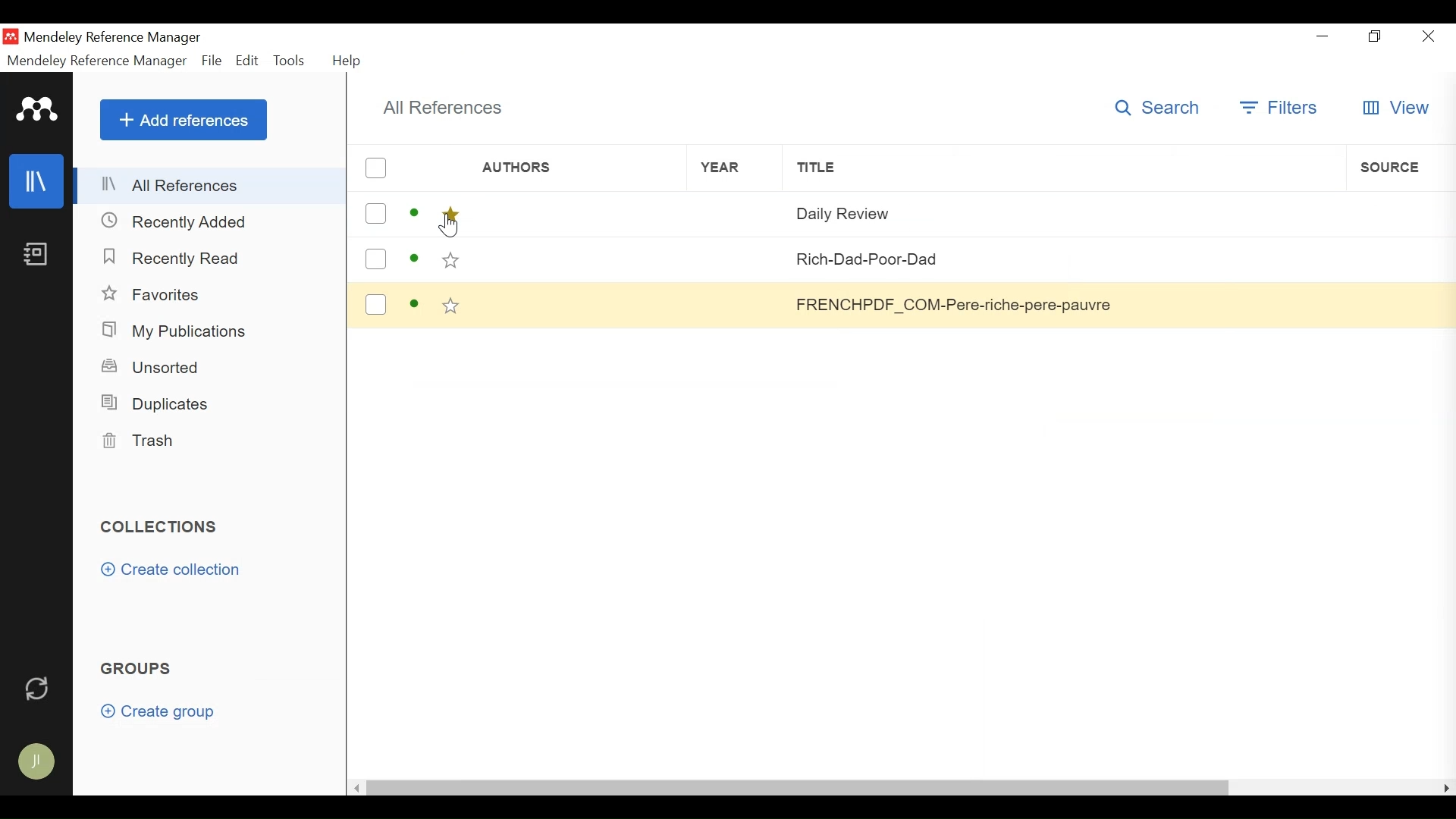  What do you see at coordinates (1431, 36) in the screenshot?
I see `Close` at bounding box center [1431, 36].